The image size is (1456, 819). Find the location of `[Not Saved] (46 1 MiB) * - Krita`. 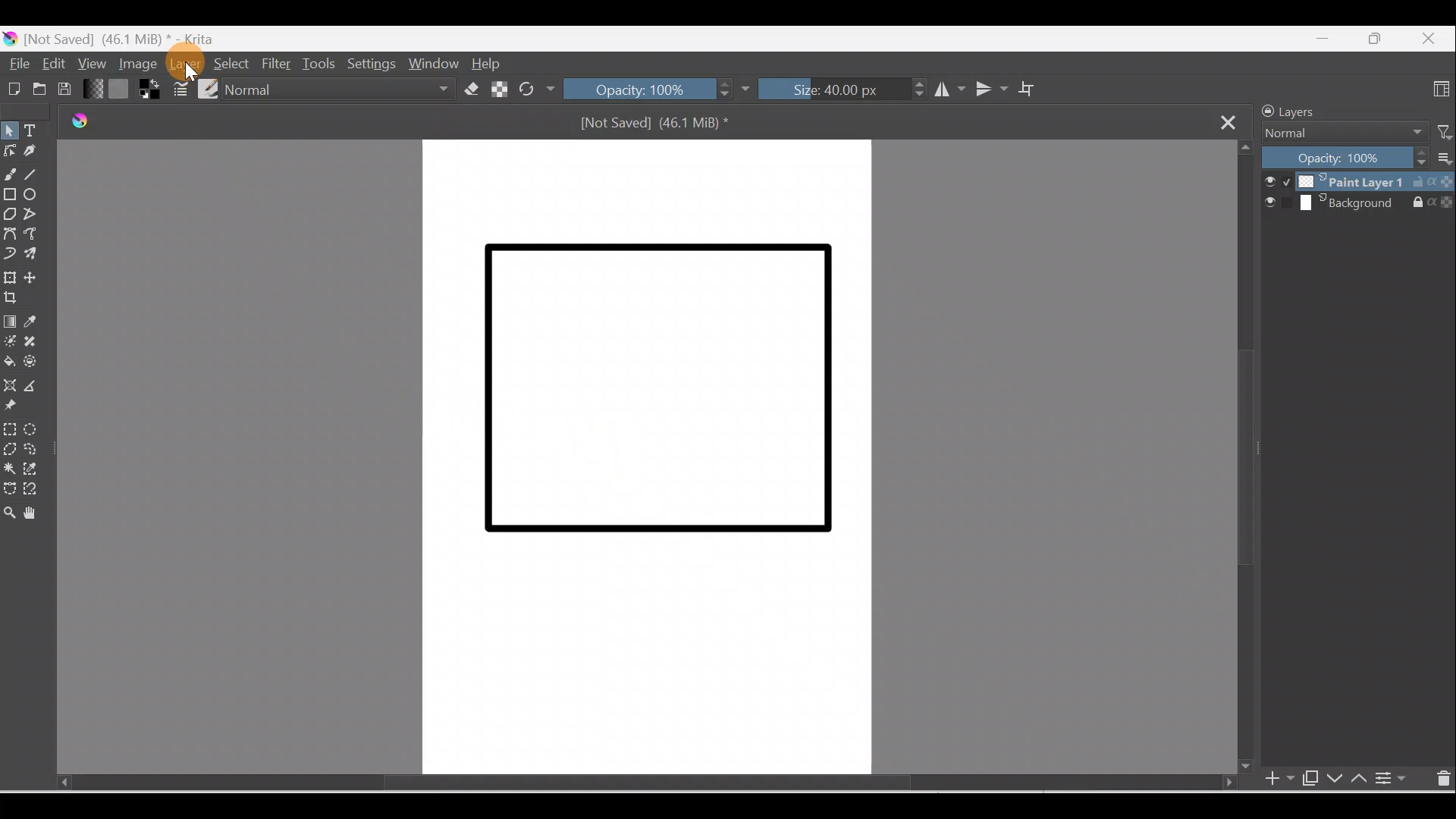

[Not Saved] (46 1 MiB) * - Krita is located at coordinates (130, 36).